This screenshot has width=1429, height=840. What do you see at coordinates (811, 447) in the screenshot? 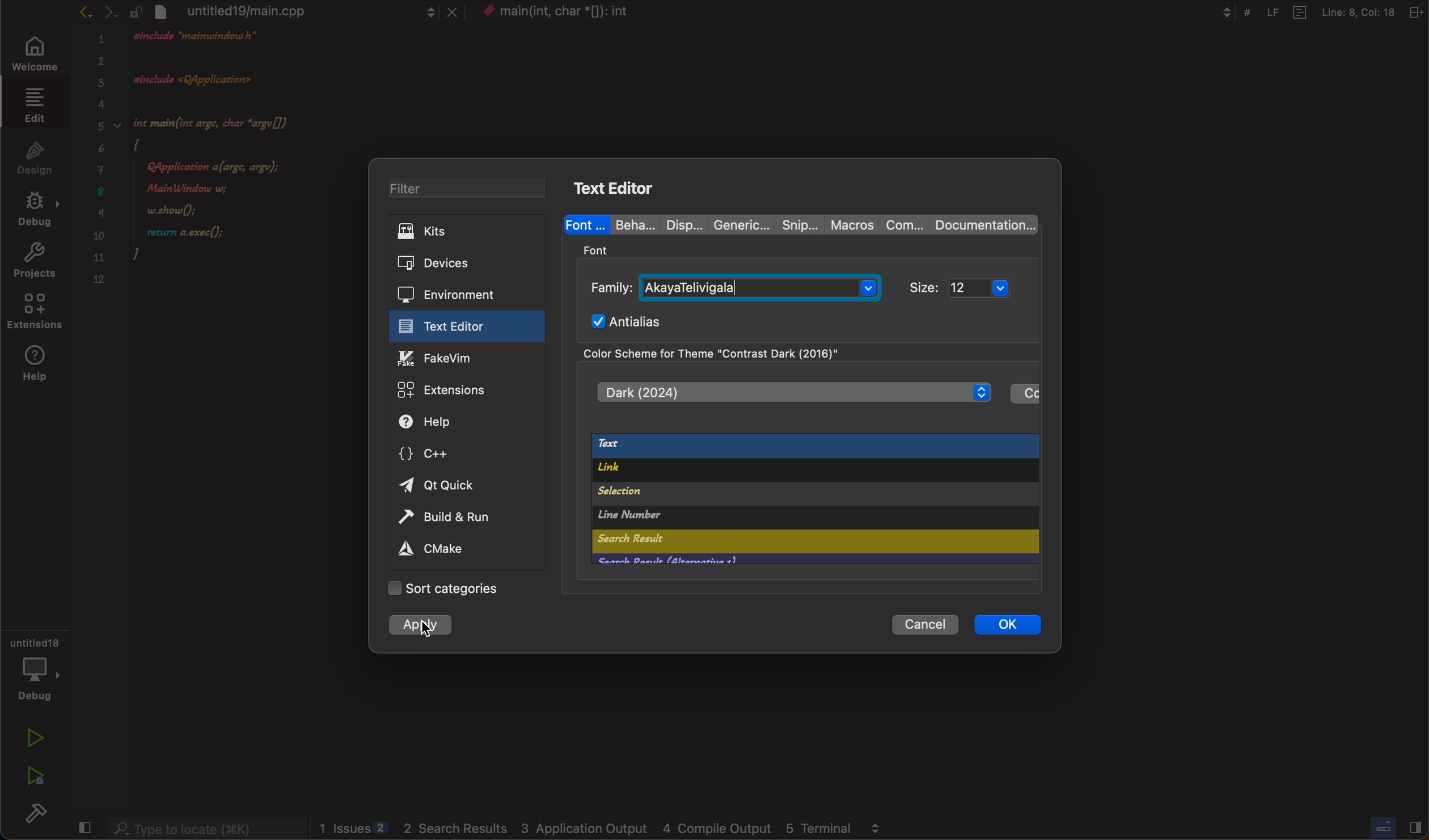
I see `text` at bounding box center [811, 447].